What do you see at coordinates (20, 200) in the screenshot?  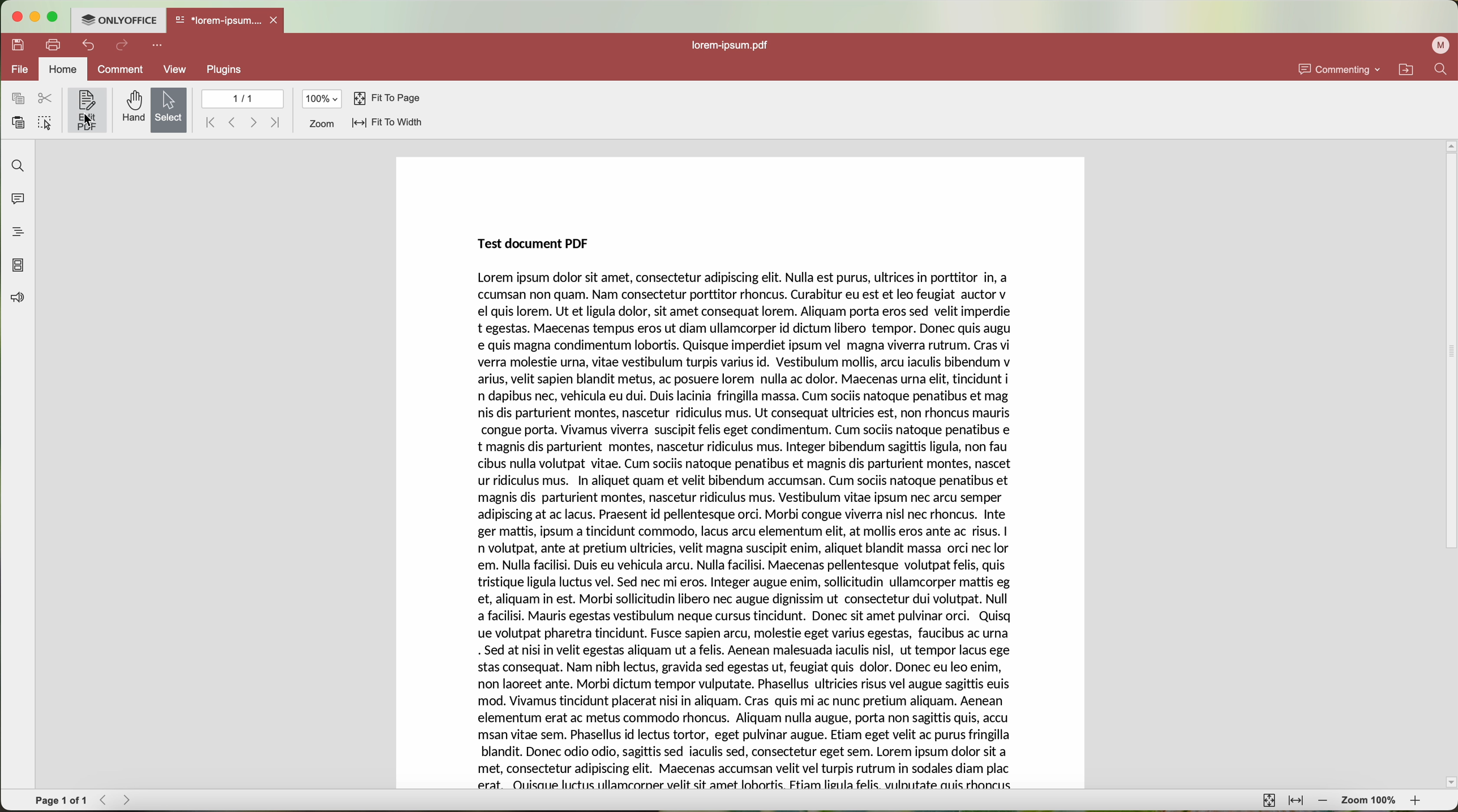 I see `comments` at bounding box center [20, 200].